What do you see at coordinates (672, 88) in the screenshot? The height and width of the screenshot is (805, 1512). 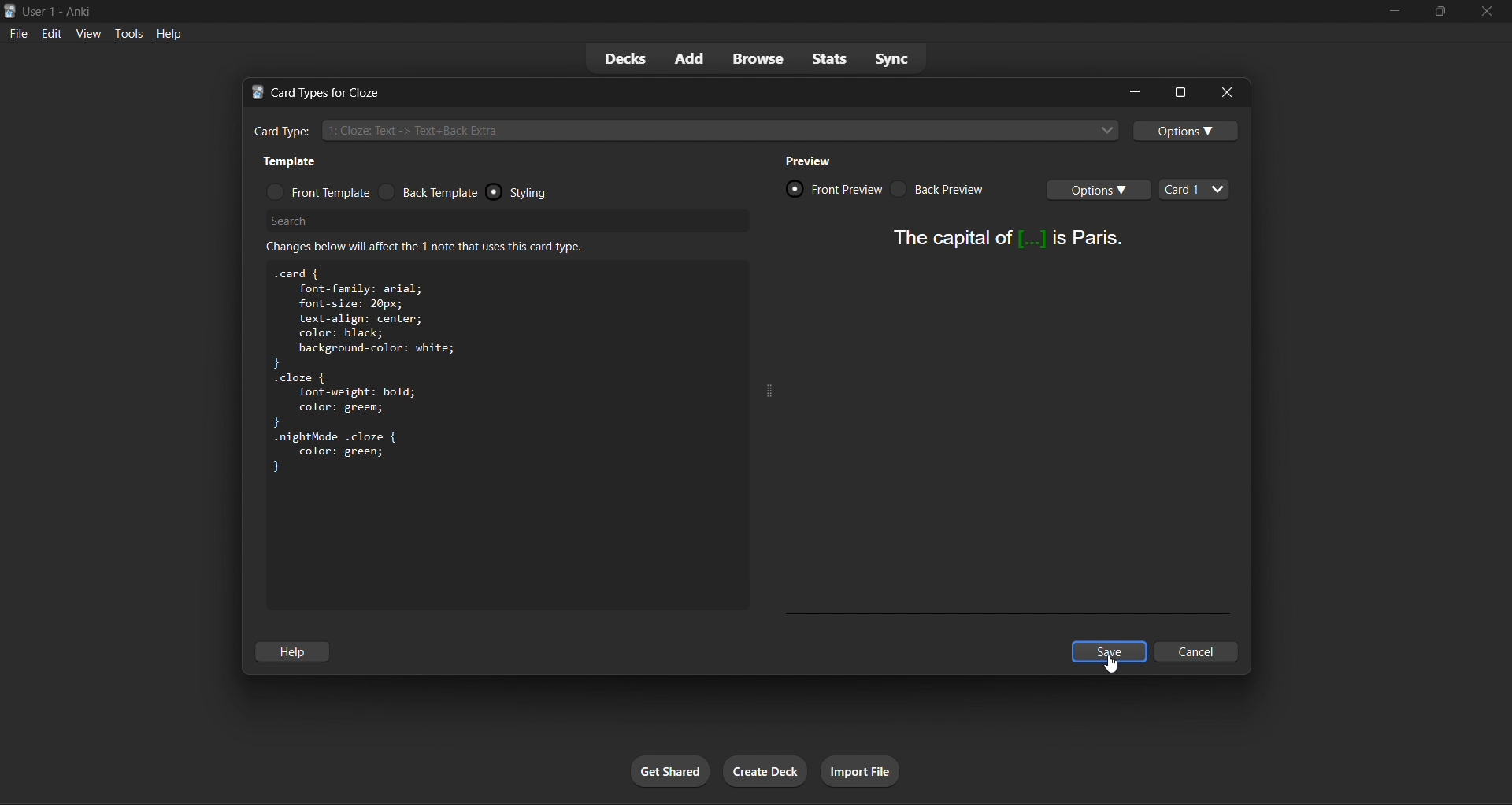 I see `title bar` at bounding box center [672, 88].